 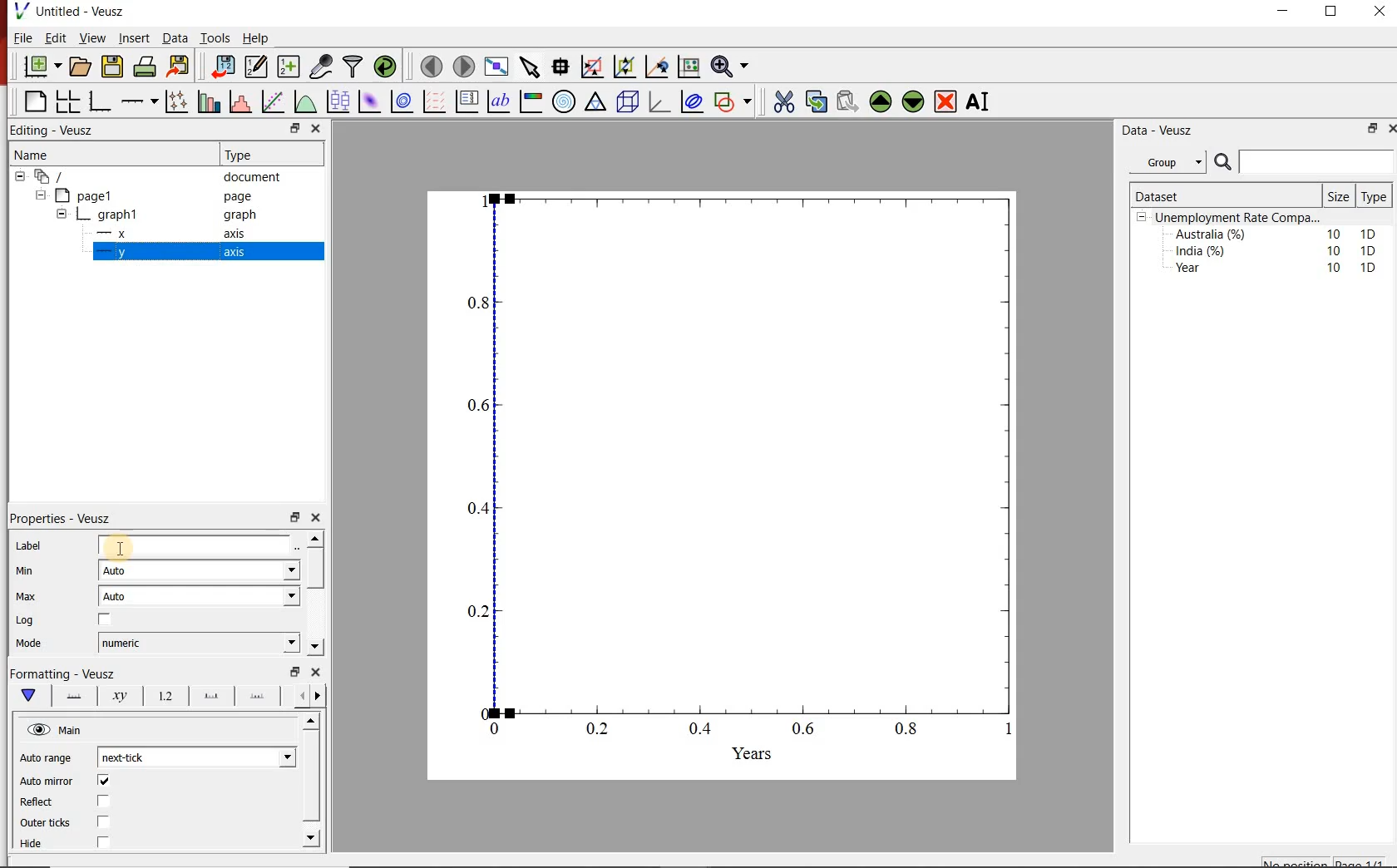 I want to click on Formatting - Veusz, so click(x=62, y=672).